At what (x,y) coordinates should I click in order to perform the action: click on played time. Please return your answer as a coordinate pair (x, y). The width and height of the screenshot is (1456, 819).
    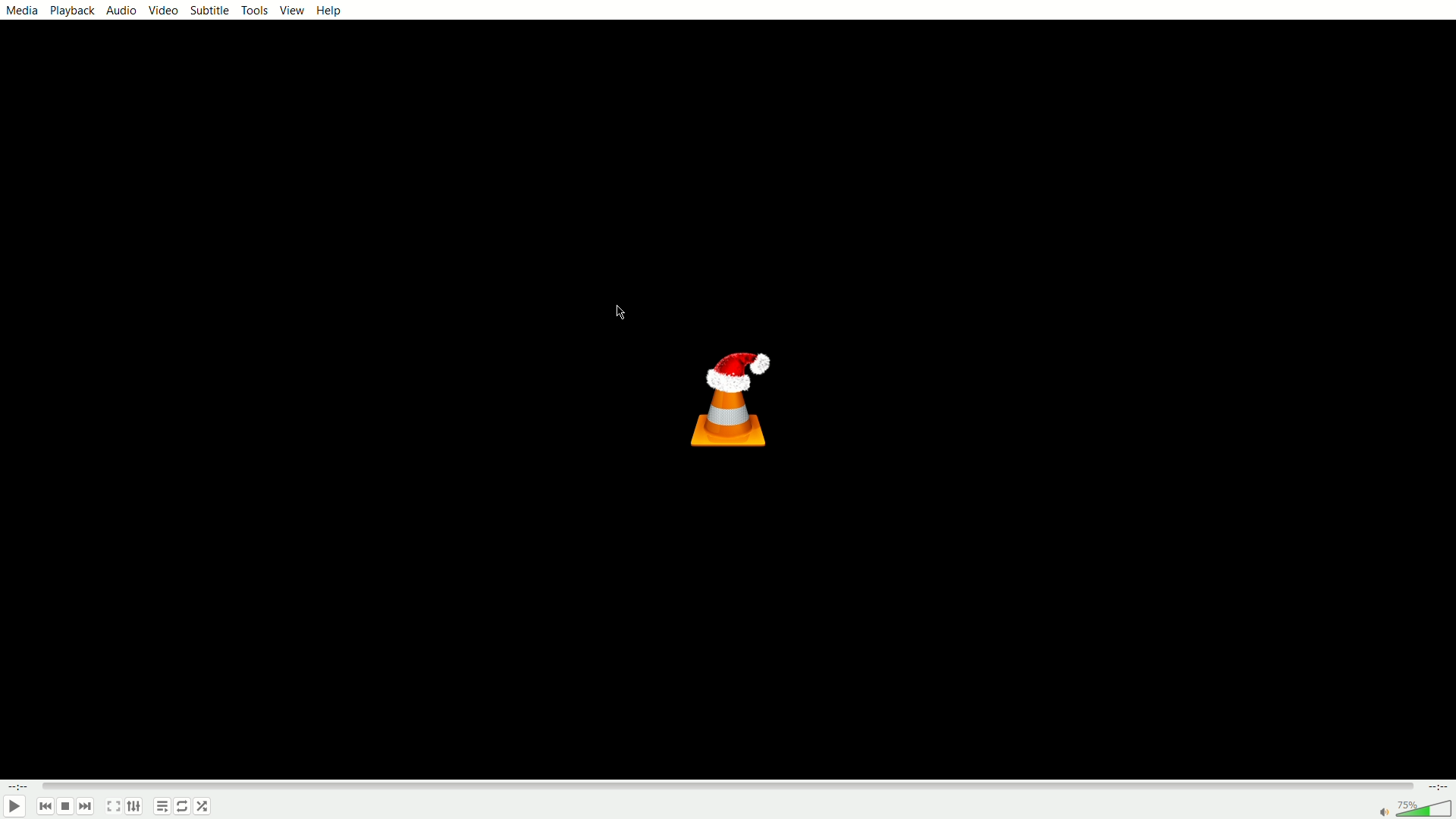
    Looking at the image, I should click on (15, 787).